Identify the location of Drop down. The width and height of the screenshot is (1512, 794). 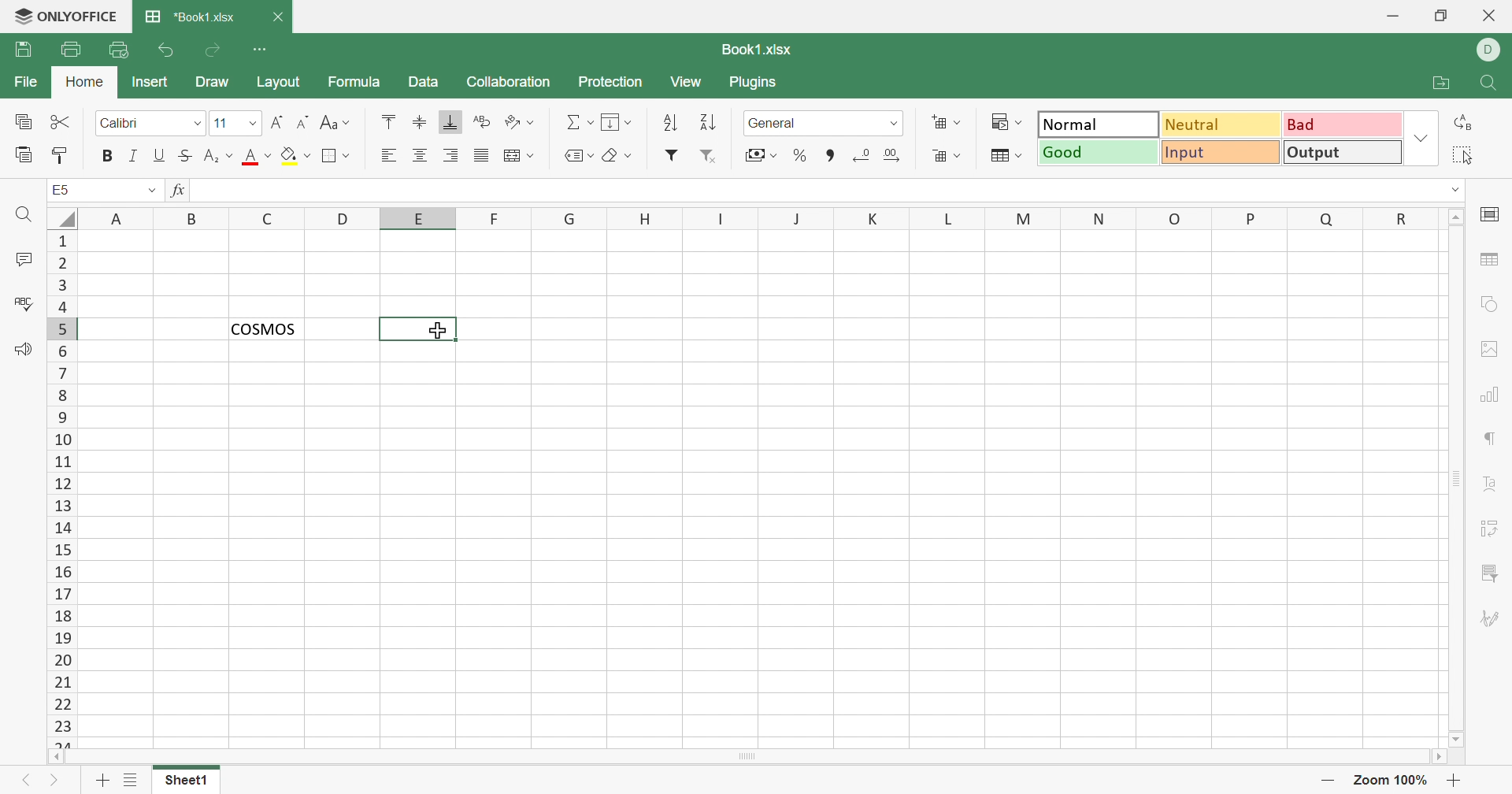
(895, 124).